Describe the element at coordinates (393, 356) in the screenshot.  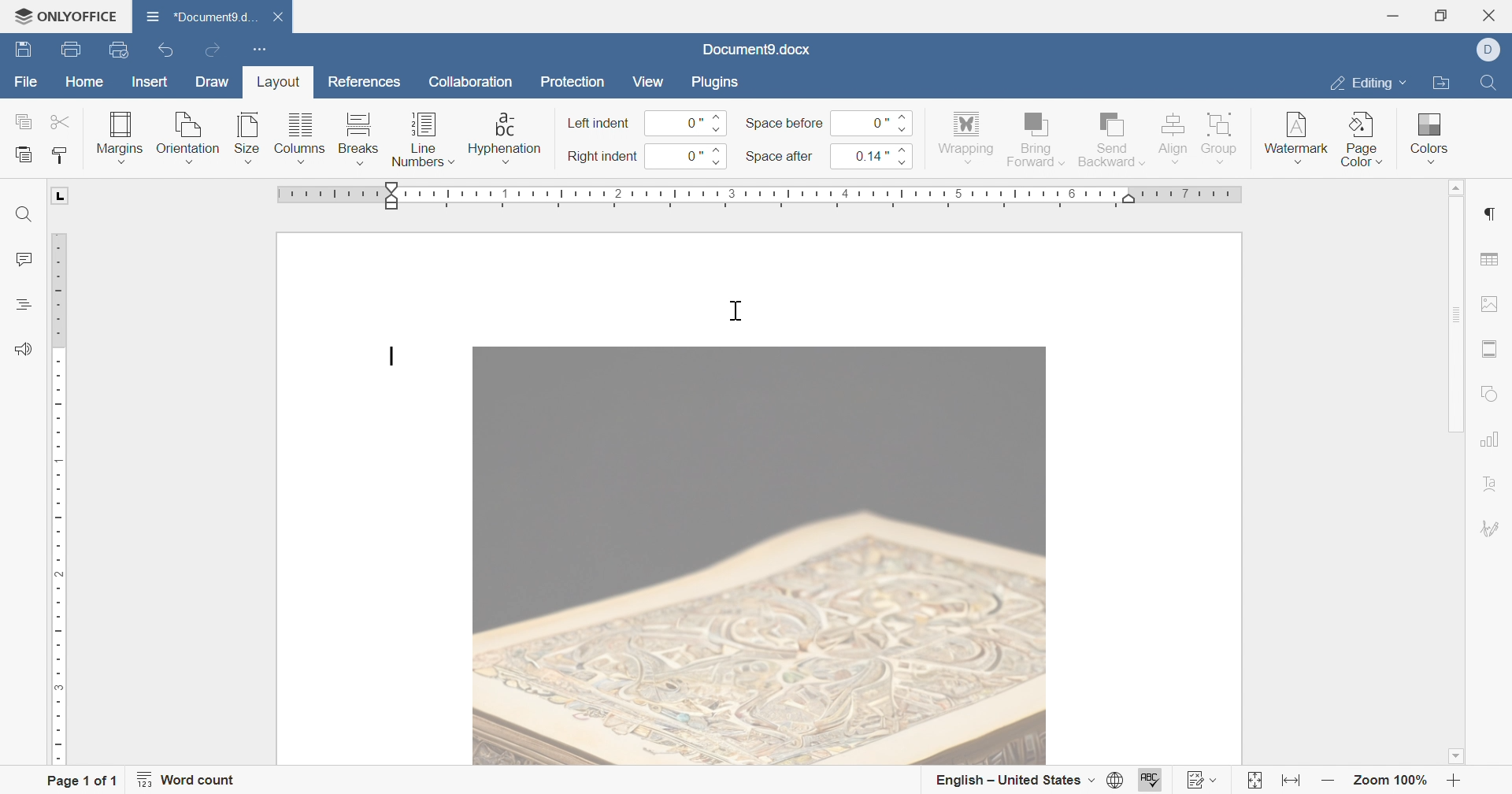
I see `typing cursor` at that location.